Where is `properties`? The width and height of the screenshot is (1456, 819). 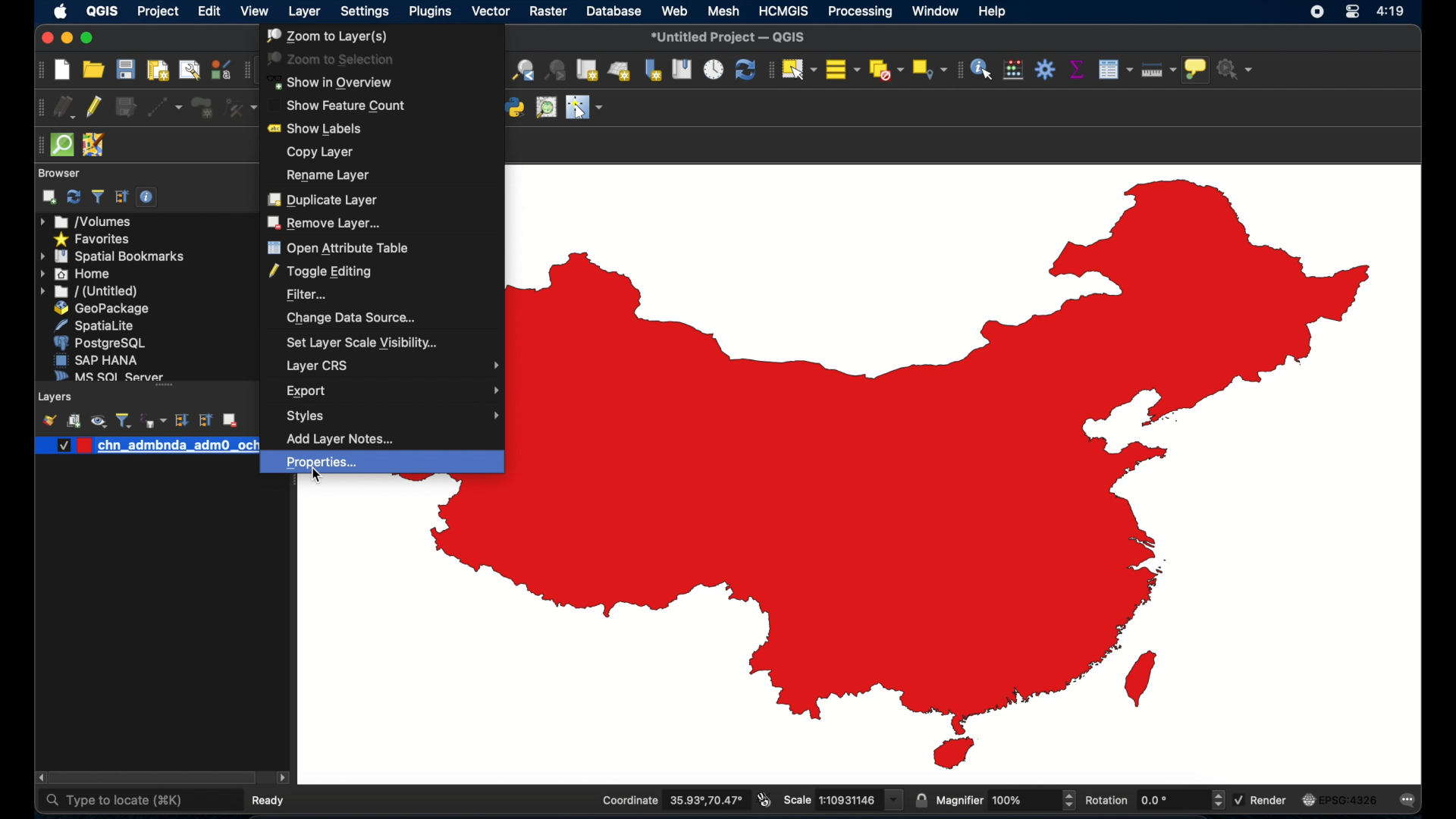
properties is located at coordinates (384, 463).